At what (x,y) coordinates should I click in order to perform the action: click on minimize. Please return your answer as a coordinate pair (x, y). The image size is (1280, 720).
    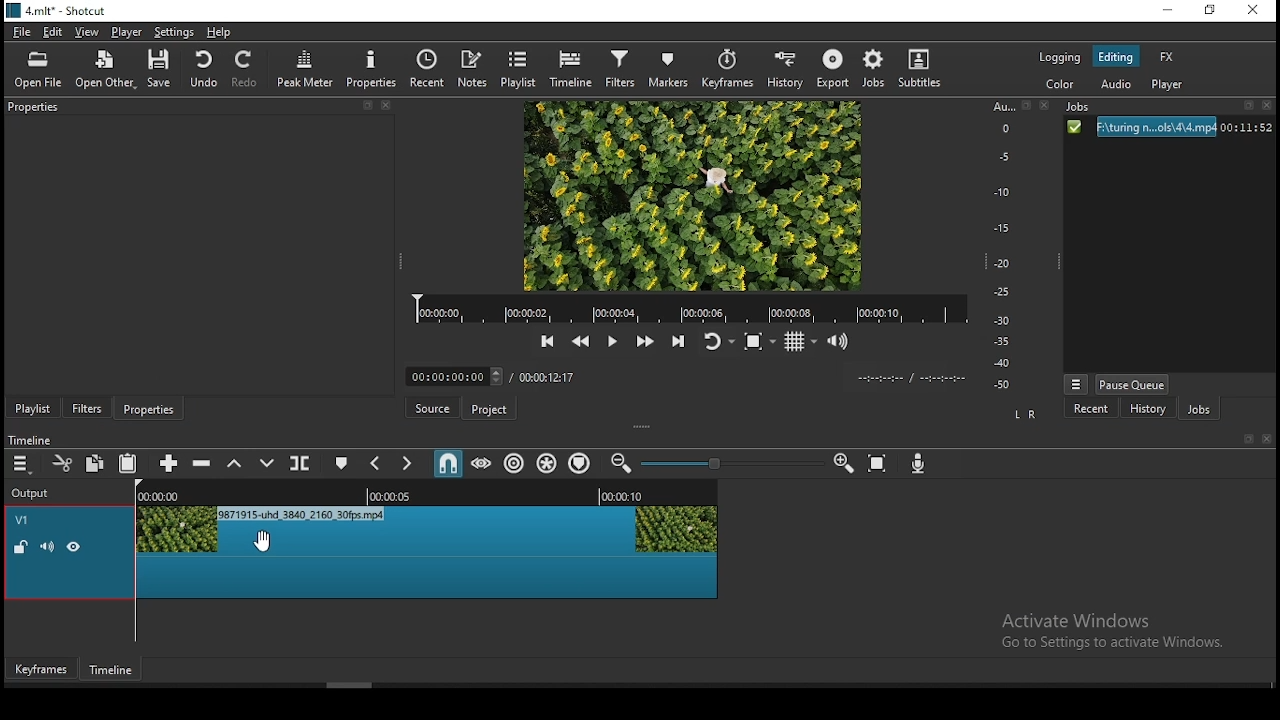
    Looking at the image, I should click on (1171, 11).